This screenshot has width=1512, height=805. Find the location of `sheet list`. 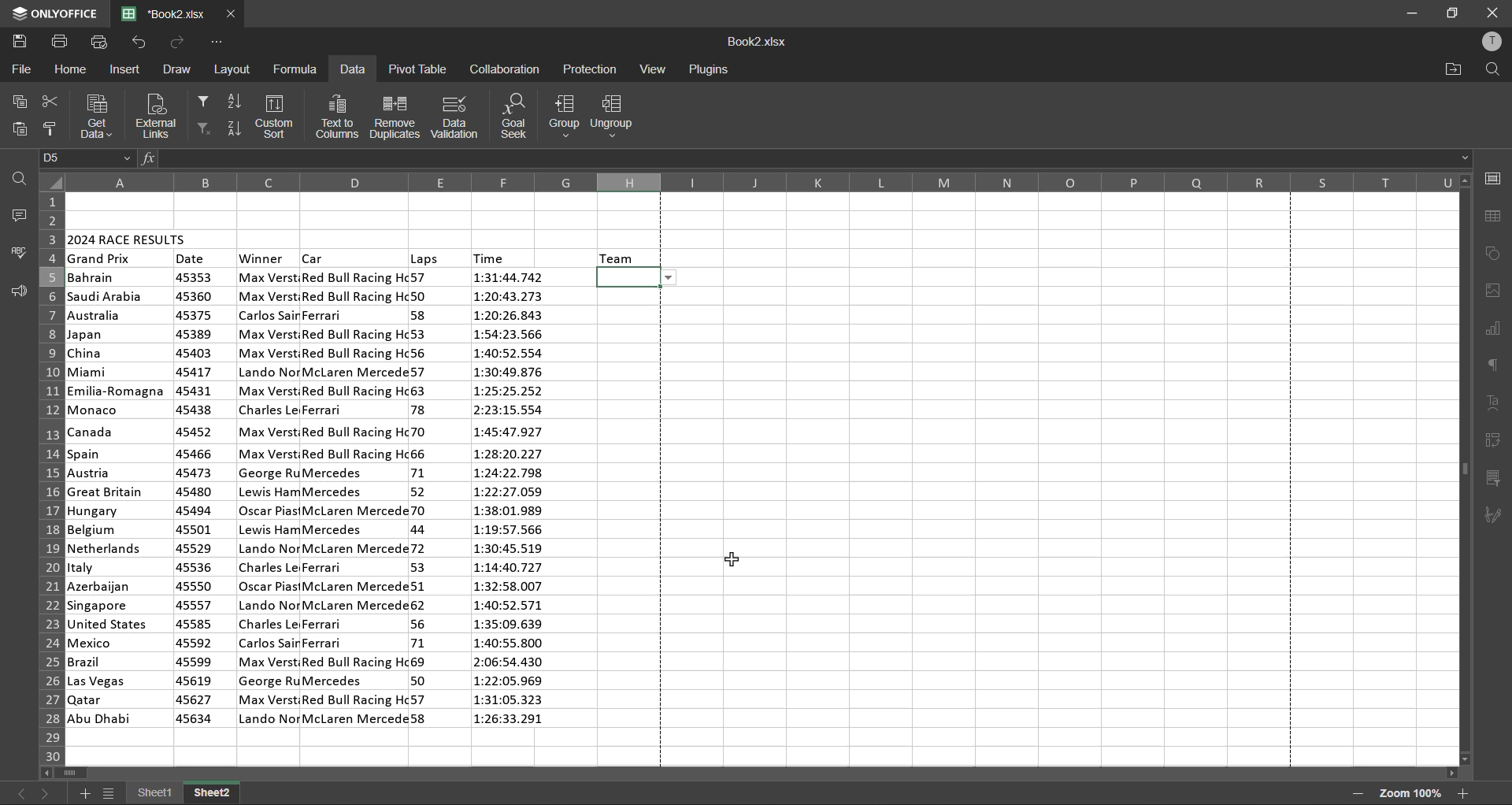

sheet list is located at coordinates (112, 796).